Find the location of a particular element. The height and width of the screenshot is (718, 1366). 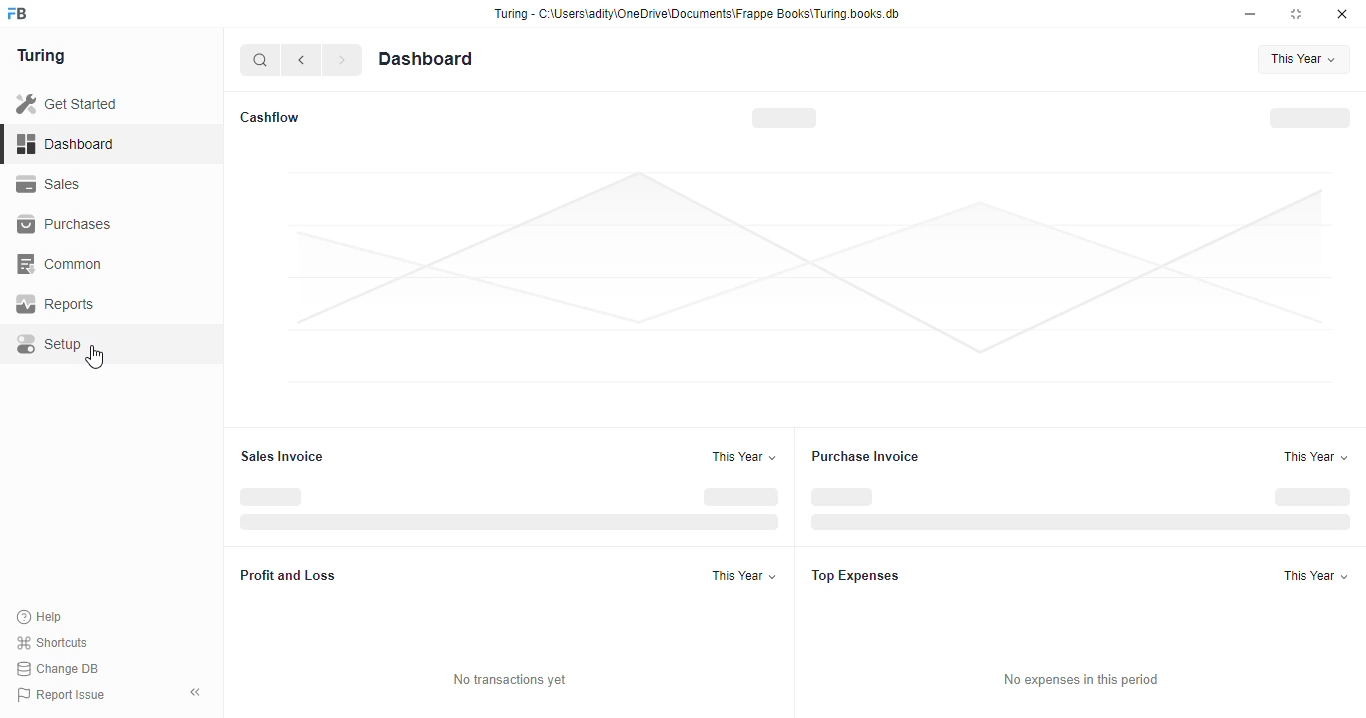

Reports is located at coordinates (63, 305).